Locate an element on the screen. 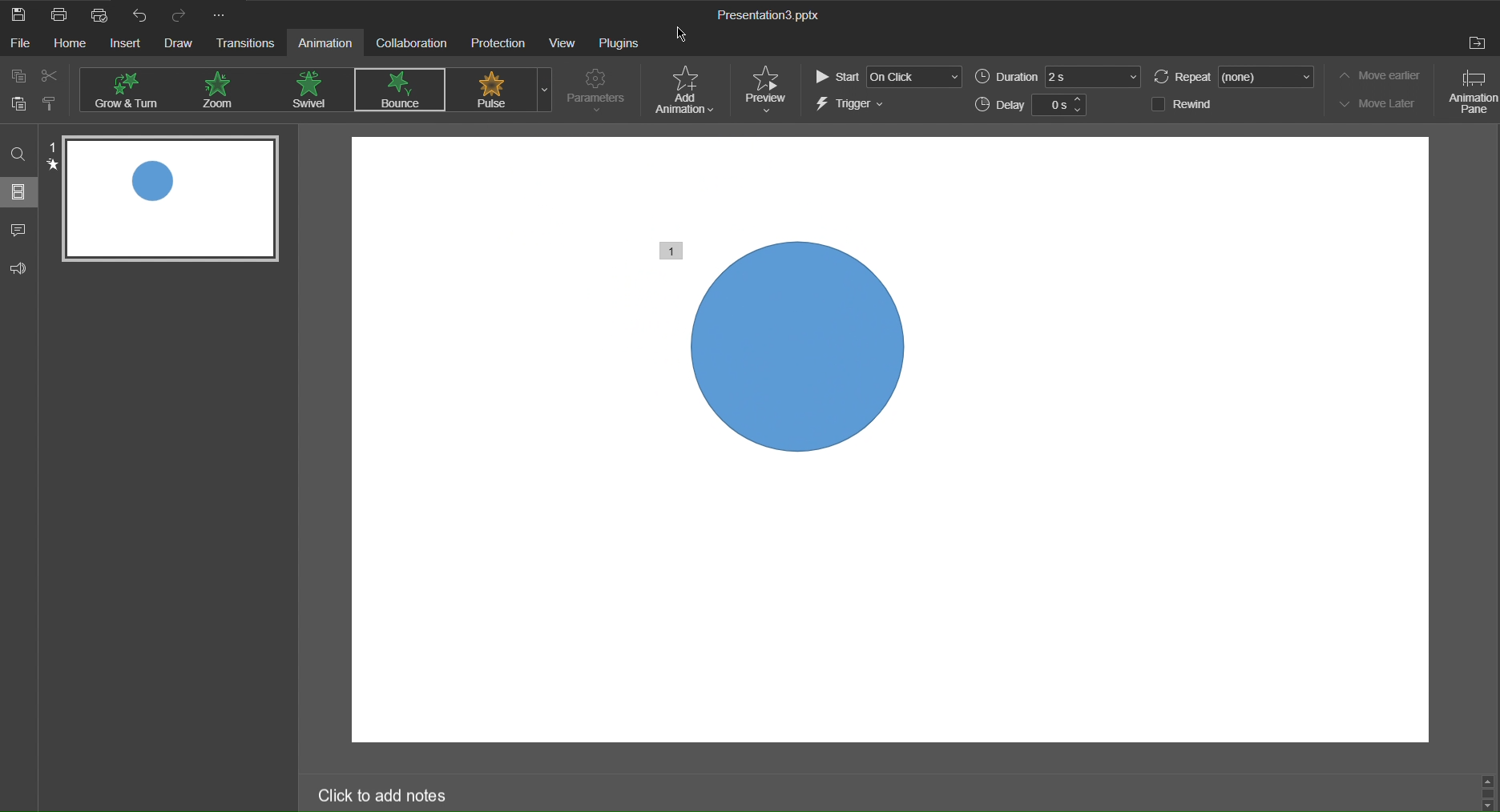  Move Later is located at coordinates (1384, 103).